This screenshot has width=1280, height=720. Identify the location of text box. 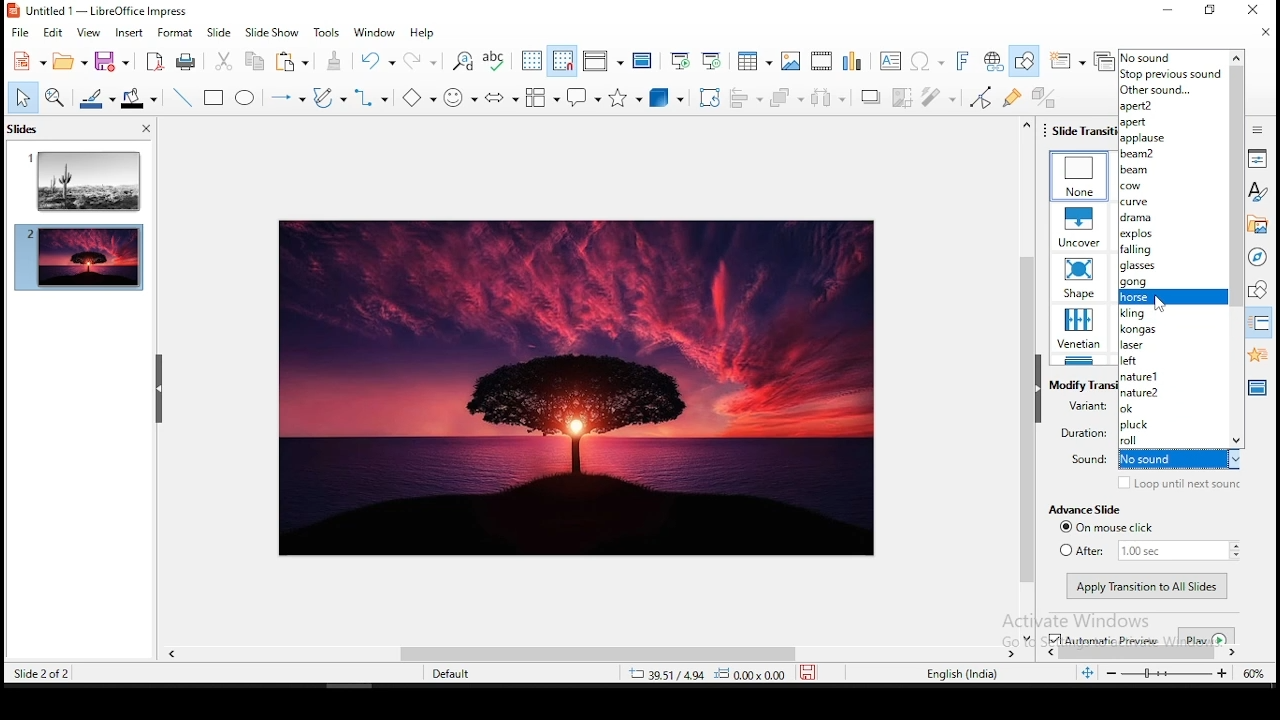
(890, 61).